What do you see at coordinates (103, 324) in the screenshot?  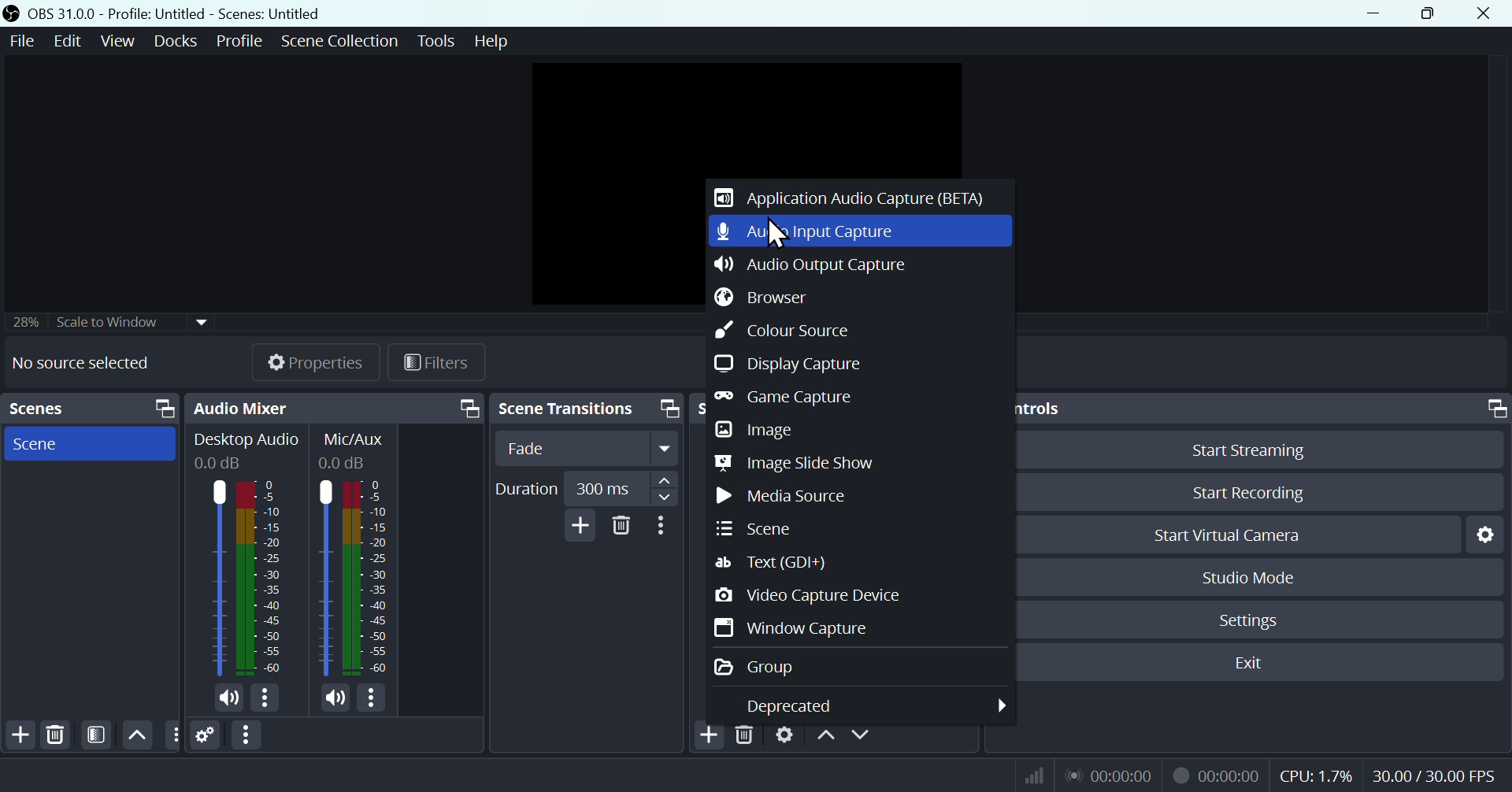 I see `Scale to ` at bounding box center [103, 324].